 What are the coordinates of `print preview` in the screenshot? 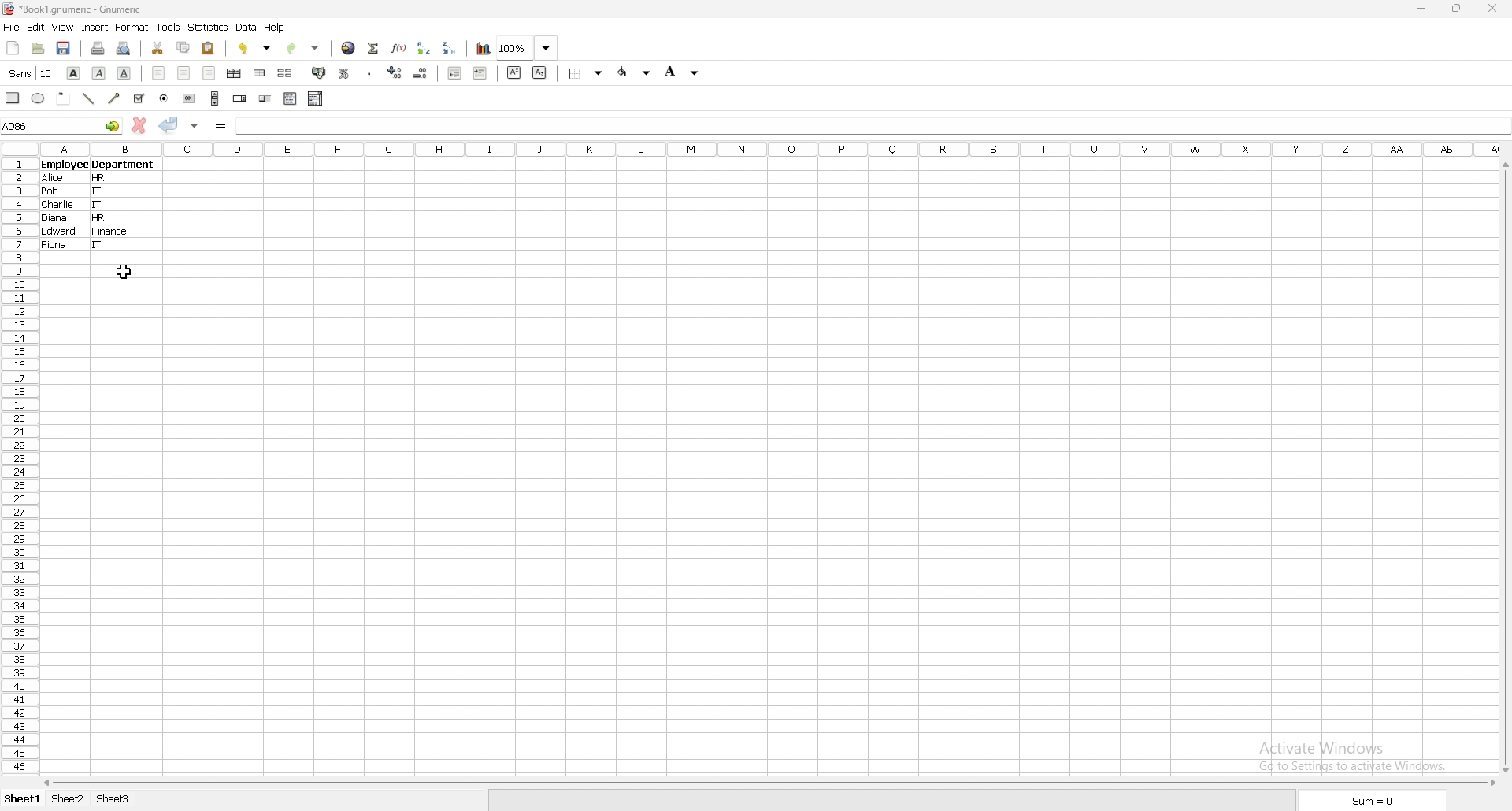 It's located at (124, 48).